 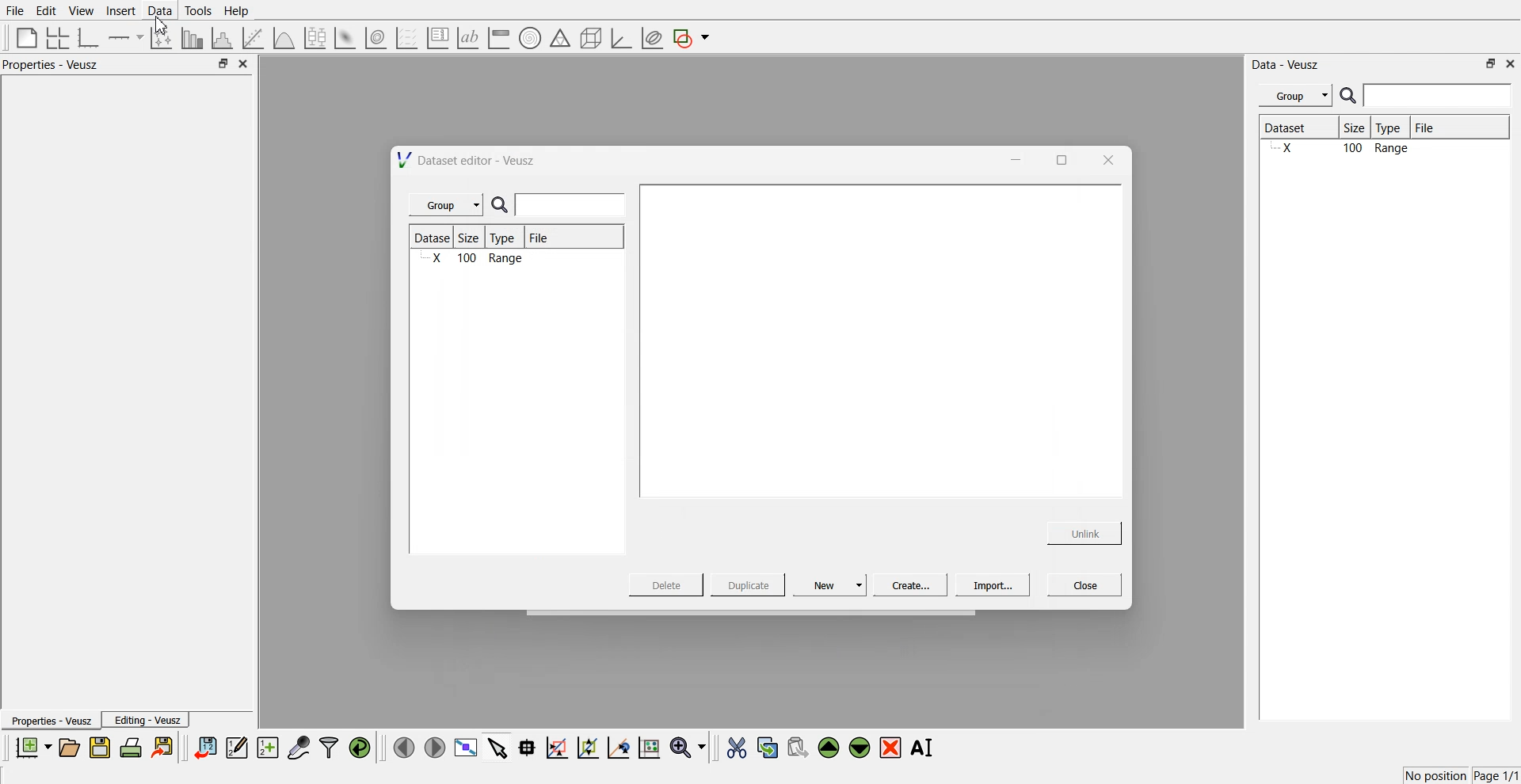 I want to click on Help, so click(x=242, y=13).